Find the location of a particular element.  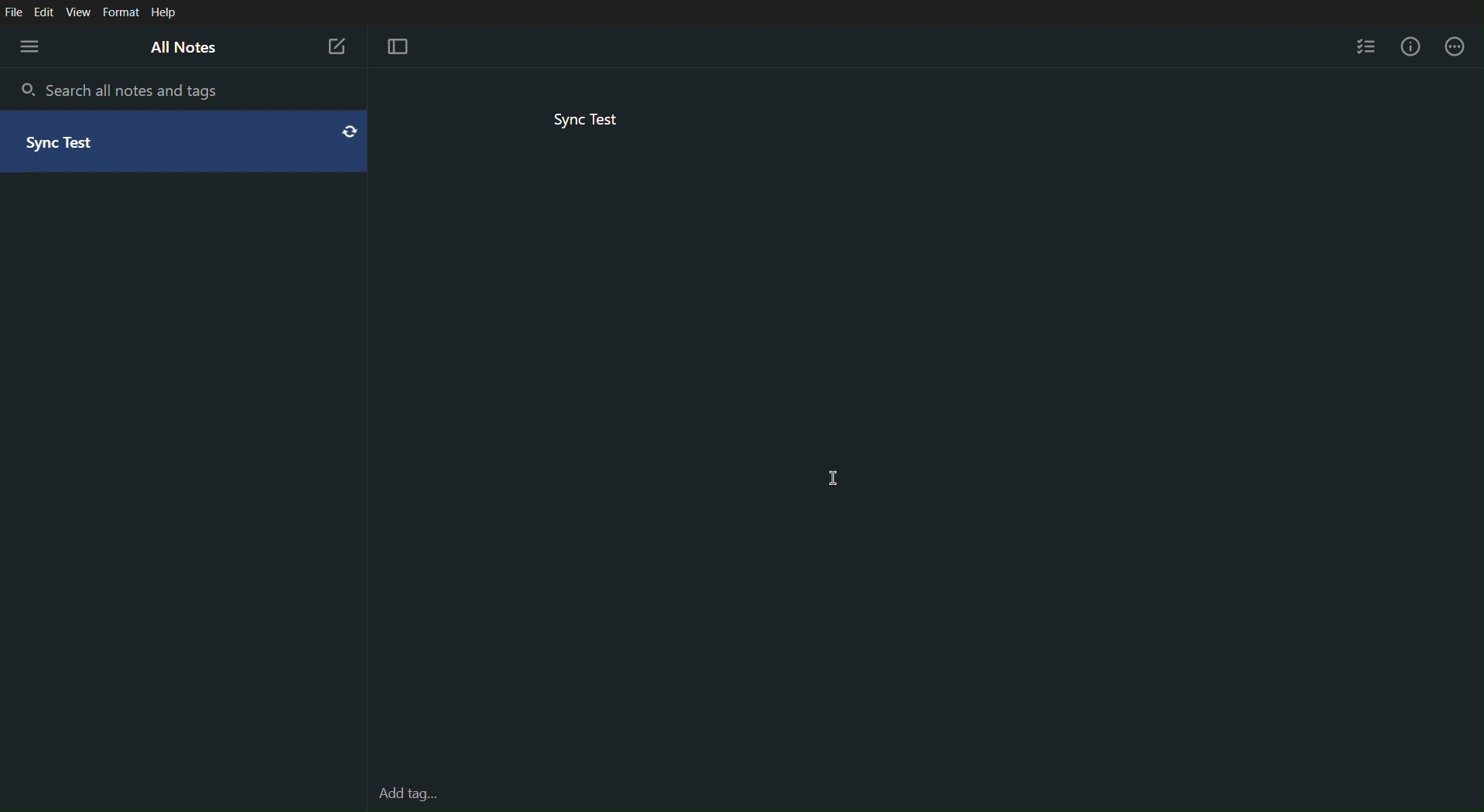

Sync Test is located at coordinates (590, 119).